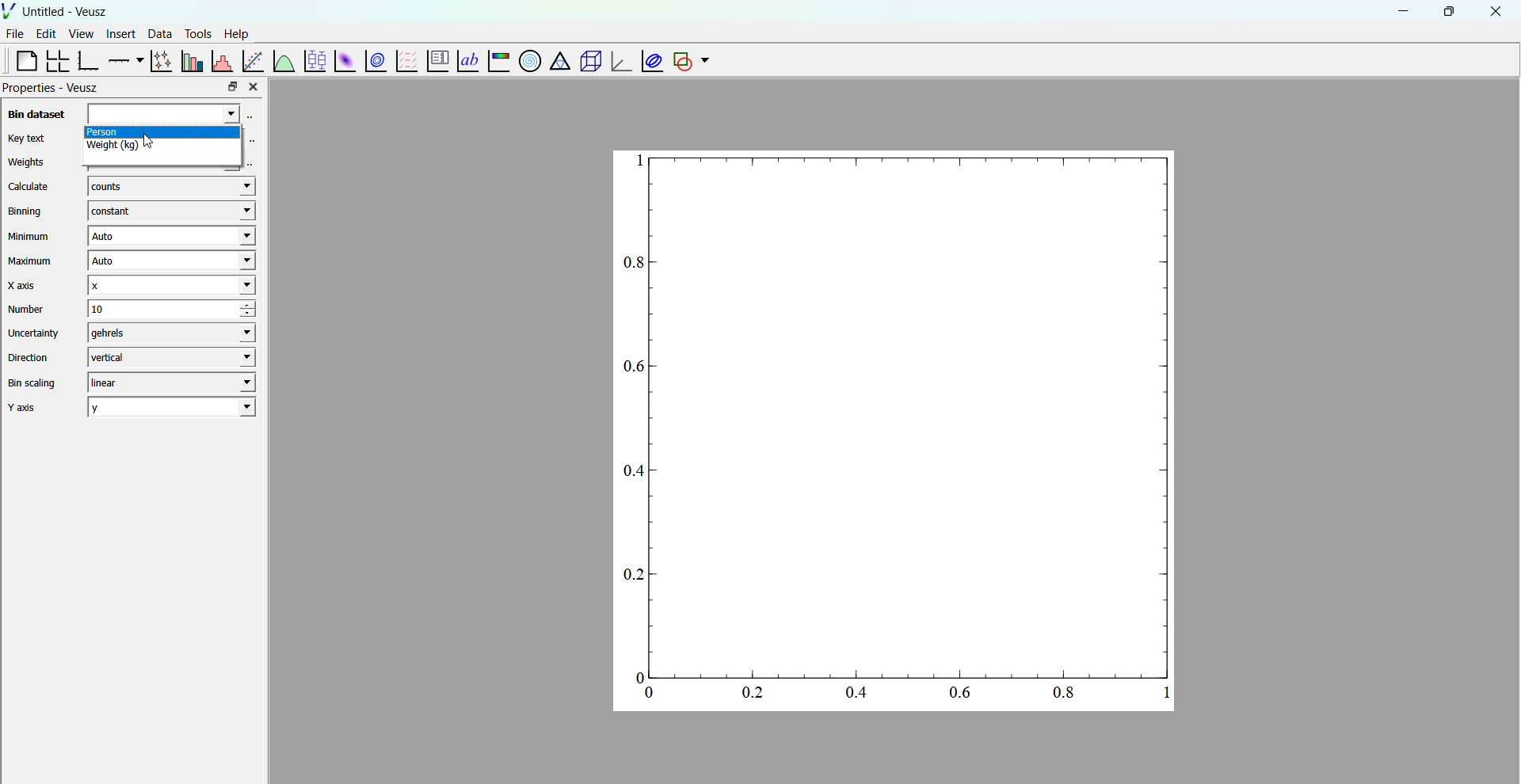  What do you see at coordinates (221, 59) in the screenshot?
I see `Histogram of a dataset` at bounding box center [221, 59].